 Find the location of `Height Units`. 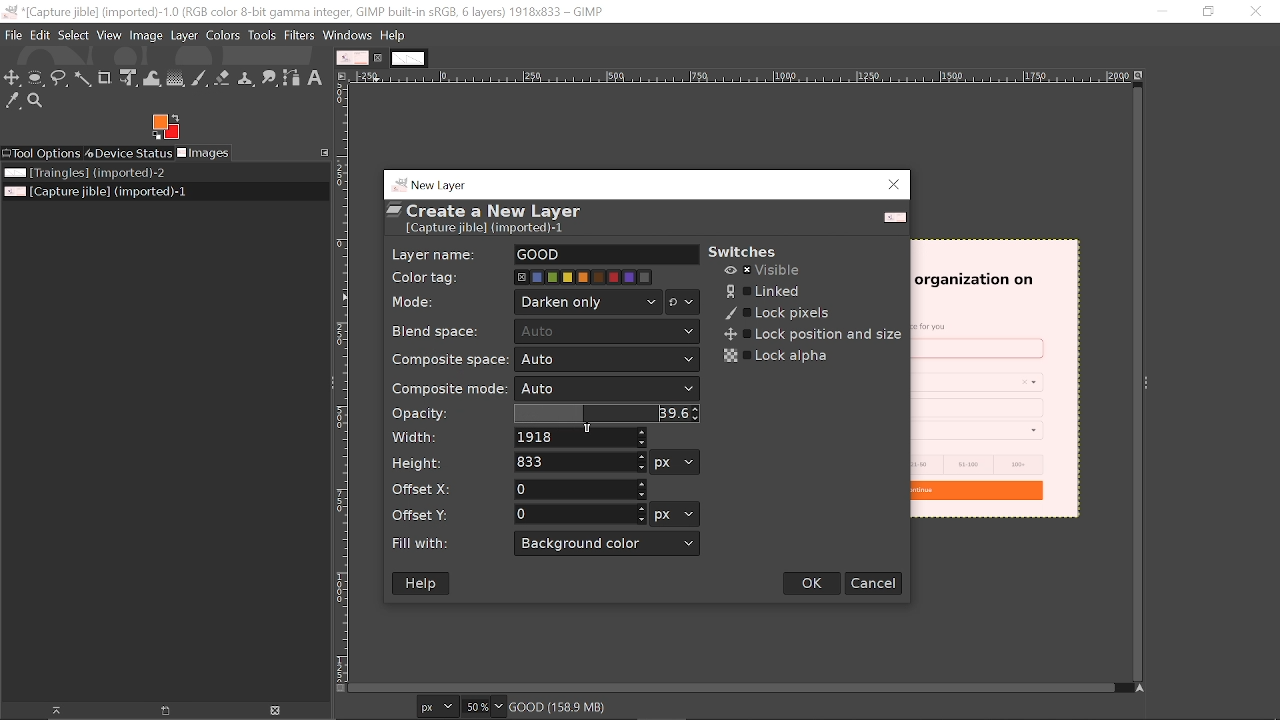

Height Units is located at coordinates (675, 462).